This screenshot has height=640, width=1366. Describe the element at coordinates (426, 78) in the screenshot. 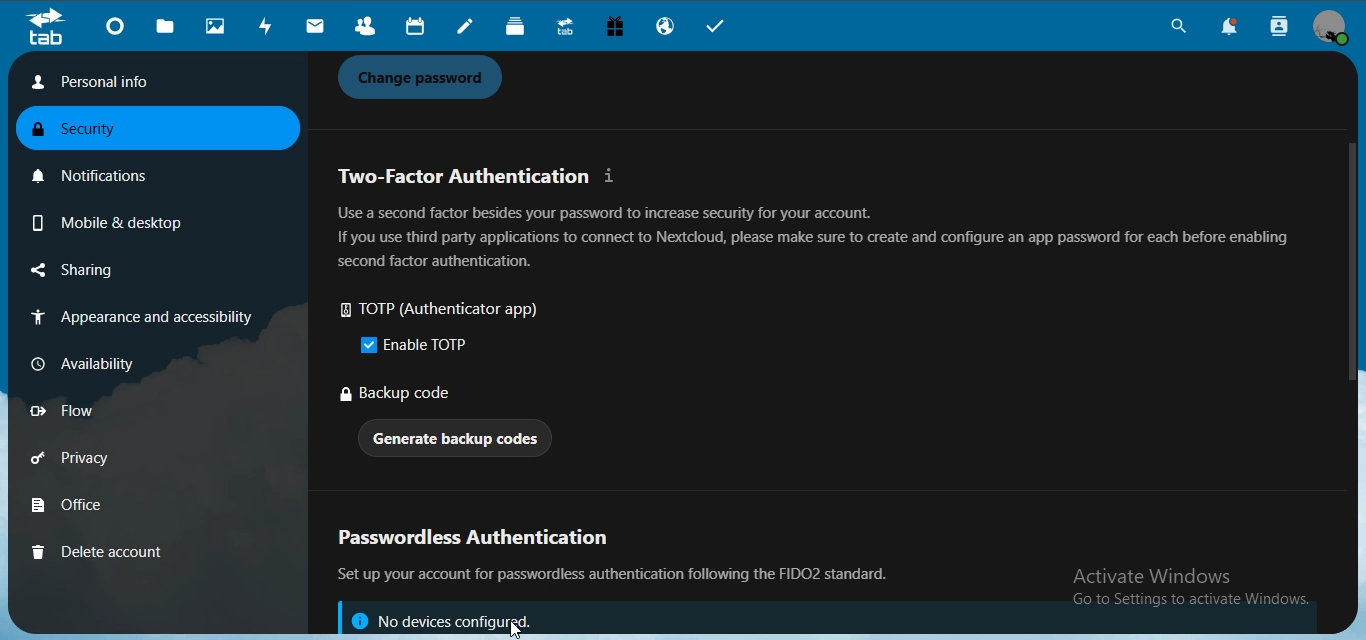

I see `change password` at that location.